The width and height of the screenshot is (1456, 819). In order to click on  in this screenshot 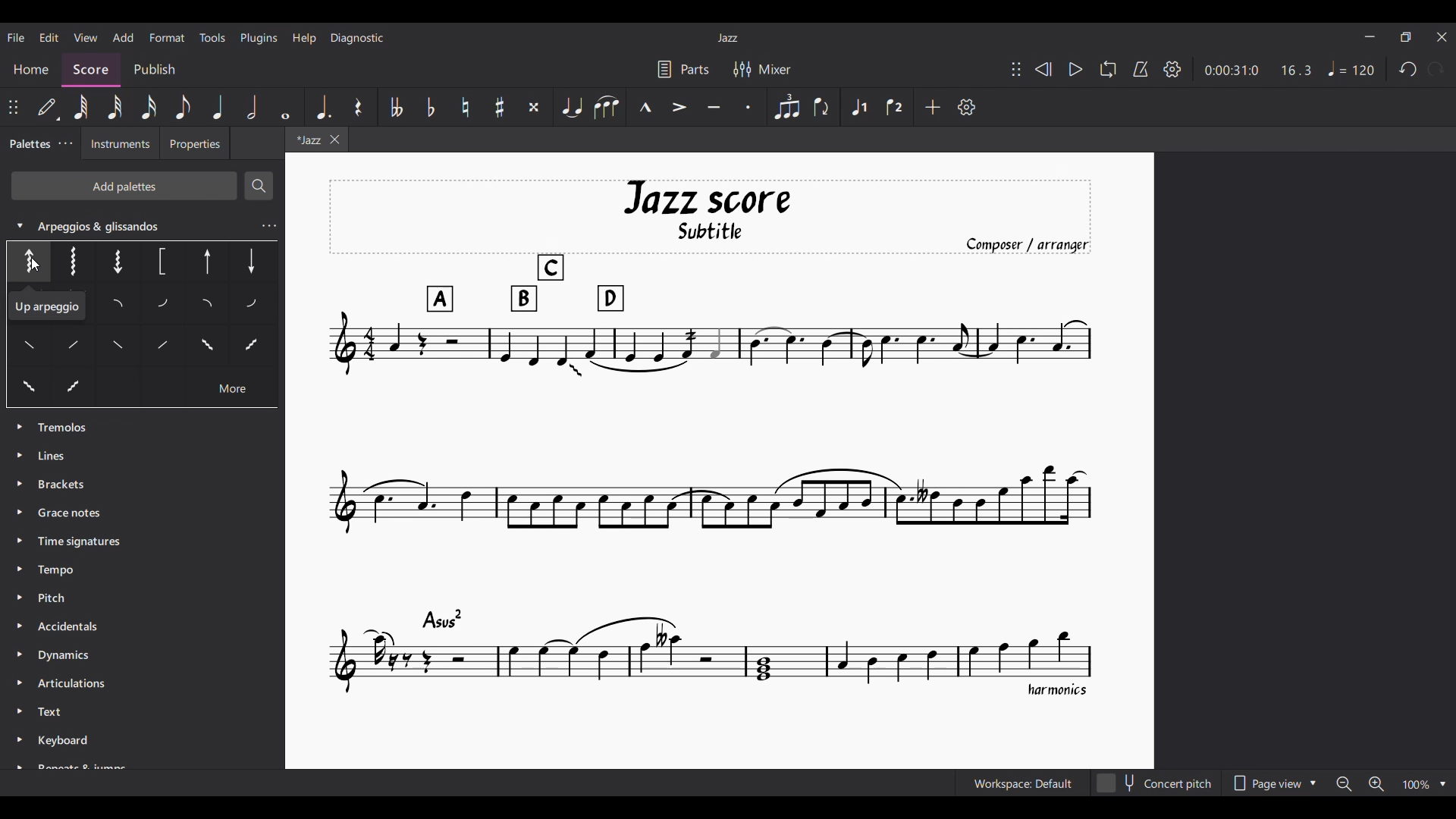, I will do `click(120, 262)`.